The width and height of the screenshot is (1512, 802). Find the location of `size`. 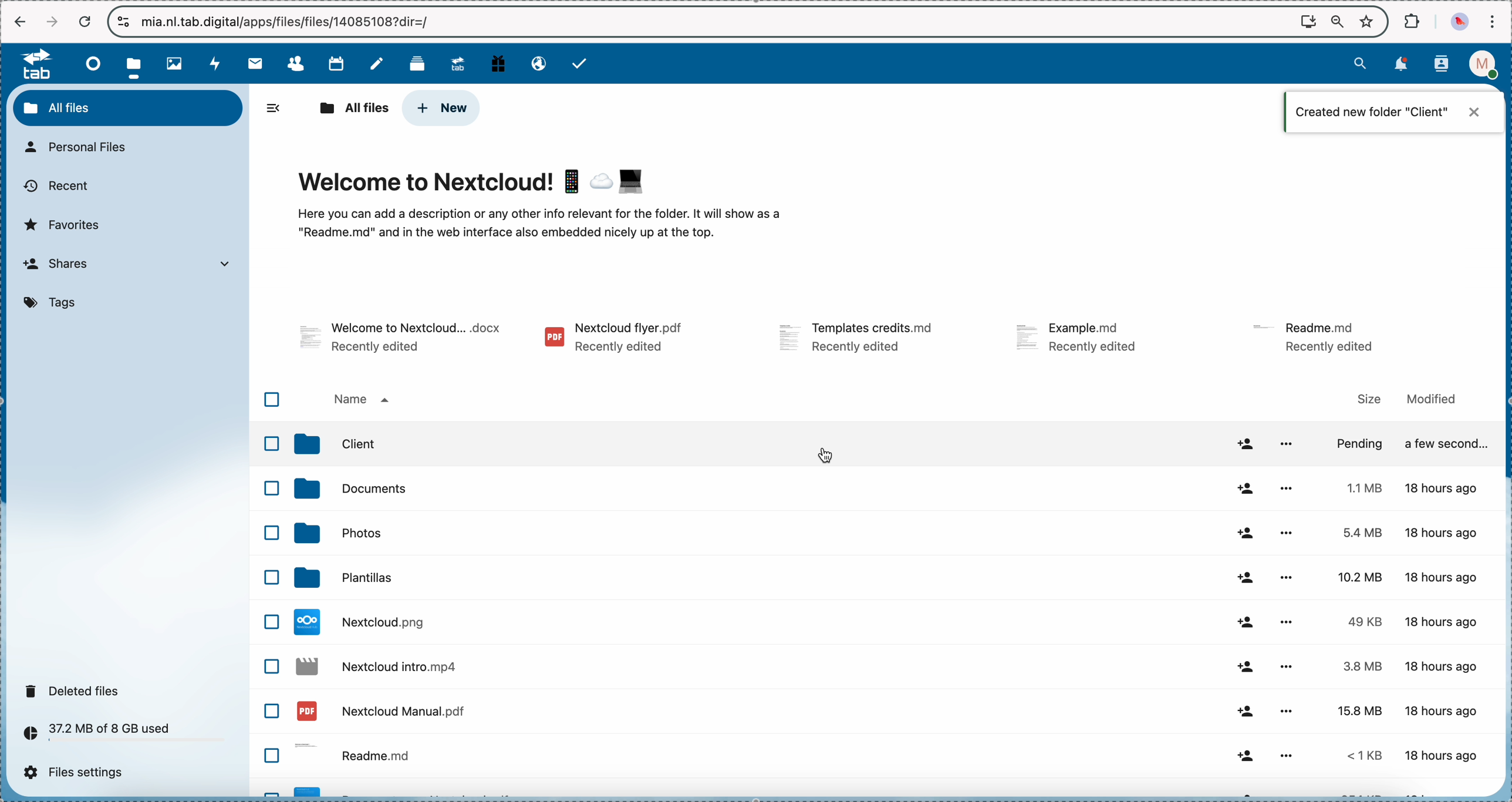

size is located at coordinates (1369, 399).